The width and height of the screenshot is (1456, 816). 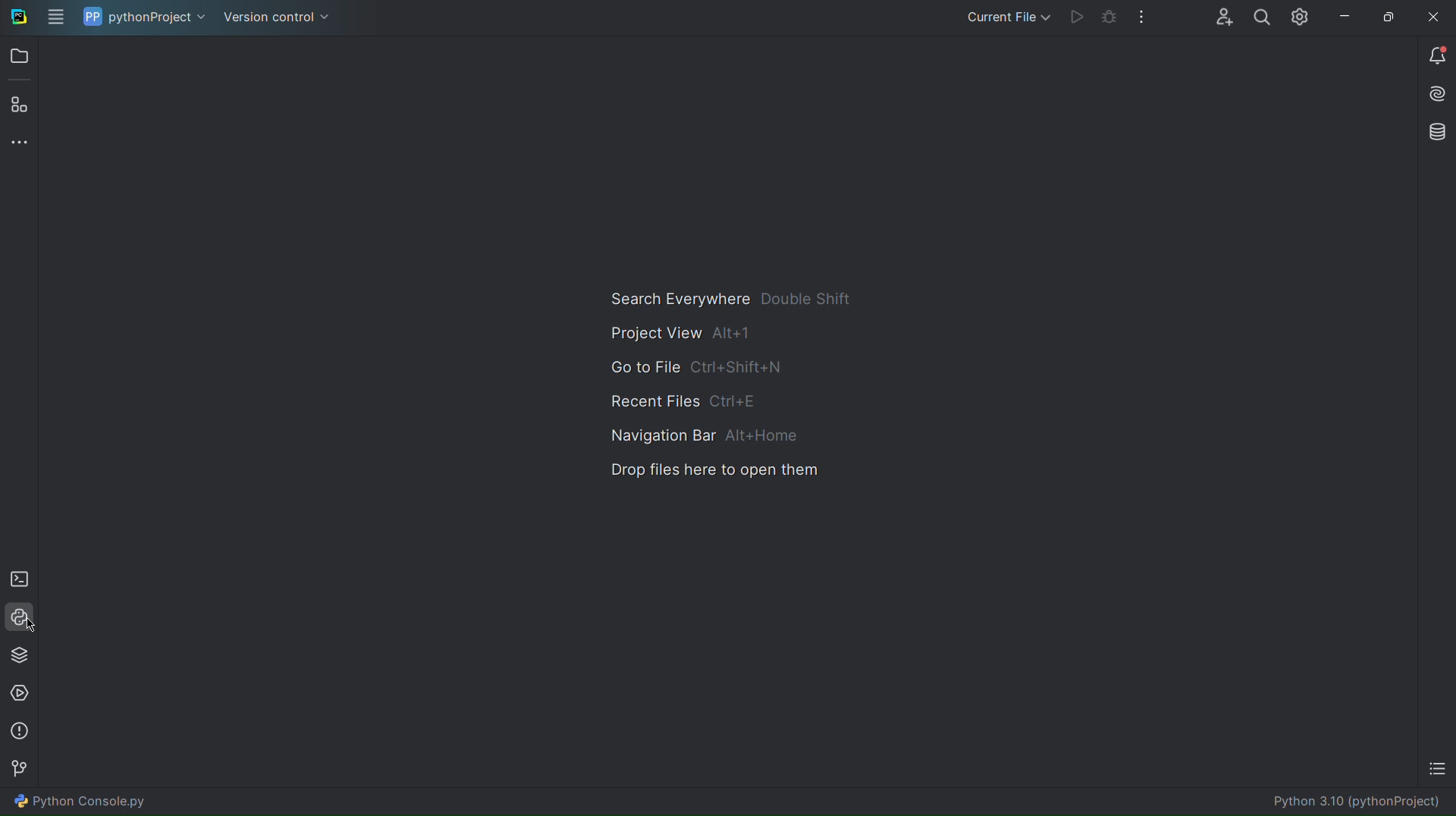 What do you see at coordinates (686, 401) in the screenshot?
I see `Recent Files` at bounding box center [686, 401].